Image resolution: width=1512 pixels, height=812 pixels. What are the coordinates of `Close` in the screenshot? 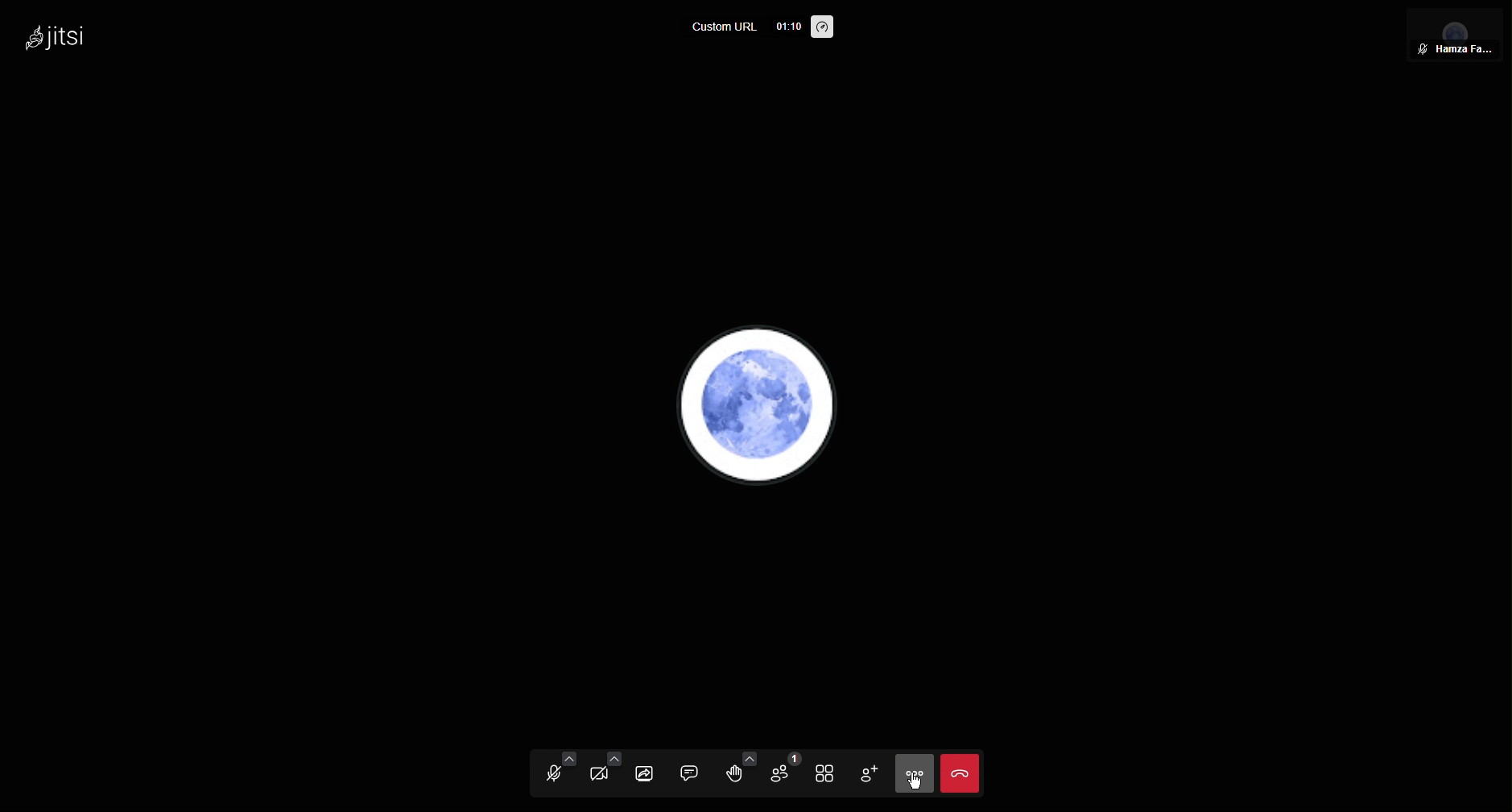 It's located at (960, 774).